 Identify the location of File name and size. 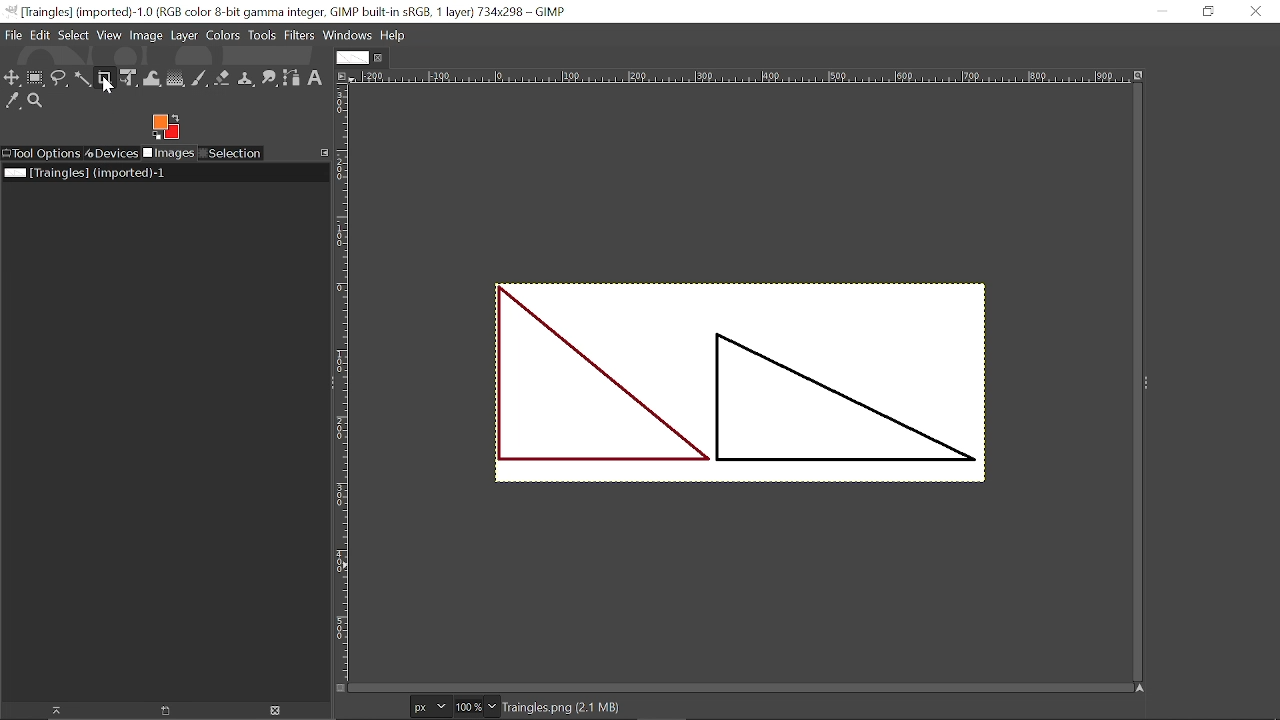
(559, 707).